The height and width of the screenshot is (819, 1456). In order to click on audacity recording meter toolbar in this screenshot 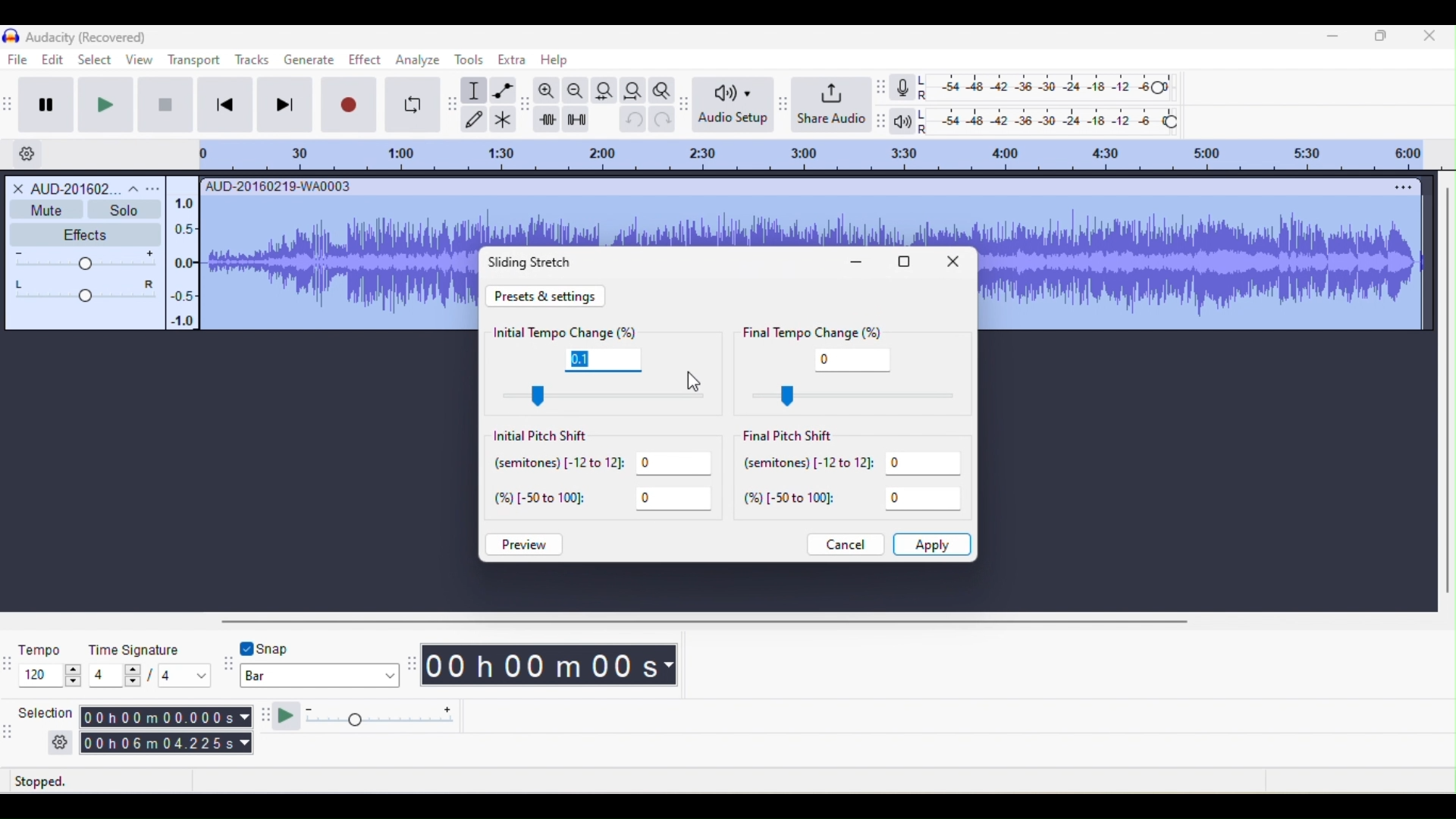, I will do `click(882, 88)`.